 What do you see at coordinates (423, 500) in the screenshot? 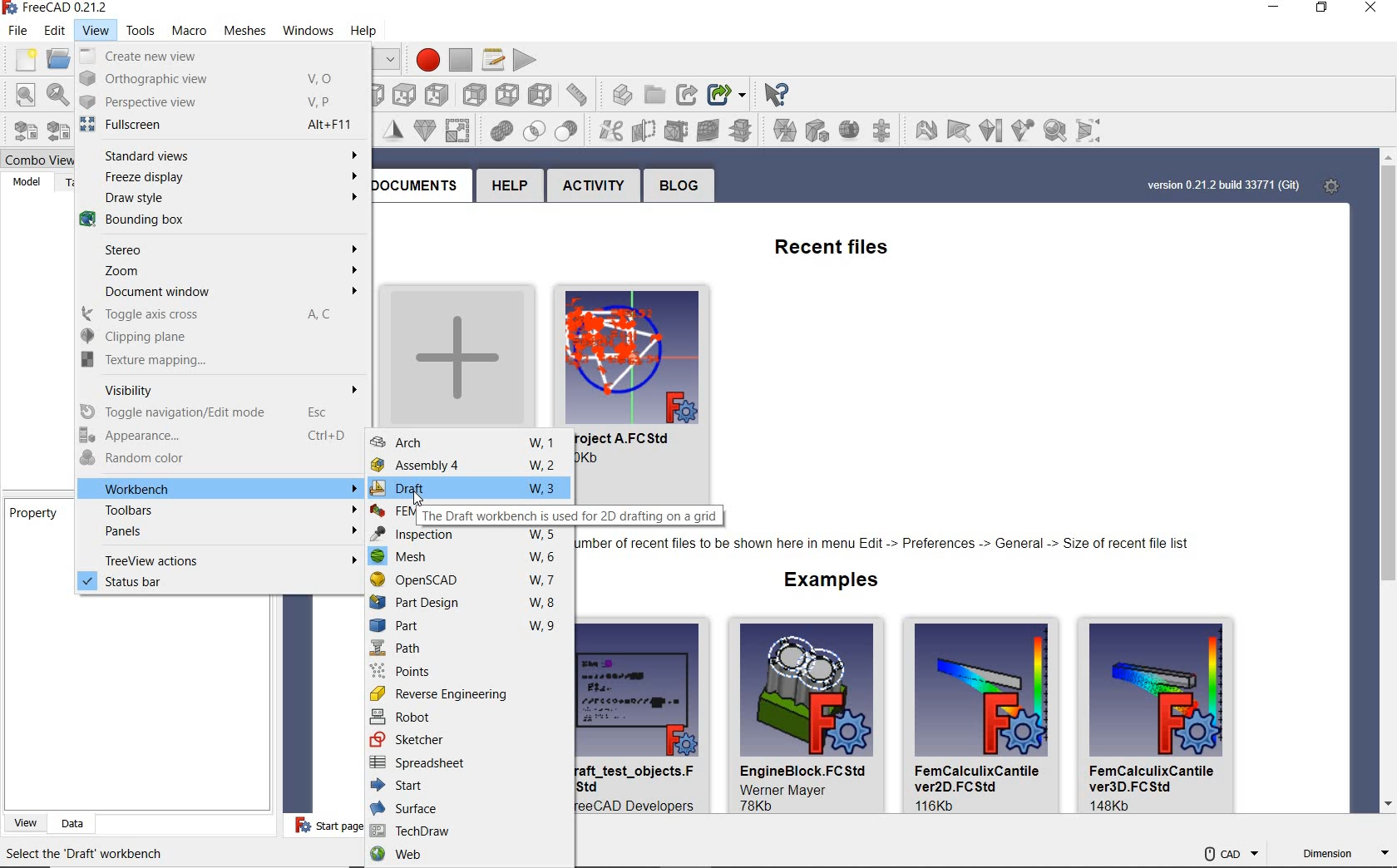
I see `cursor` at bounding box center [423, 500].